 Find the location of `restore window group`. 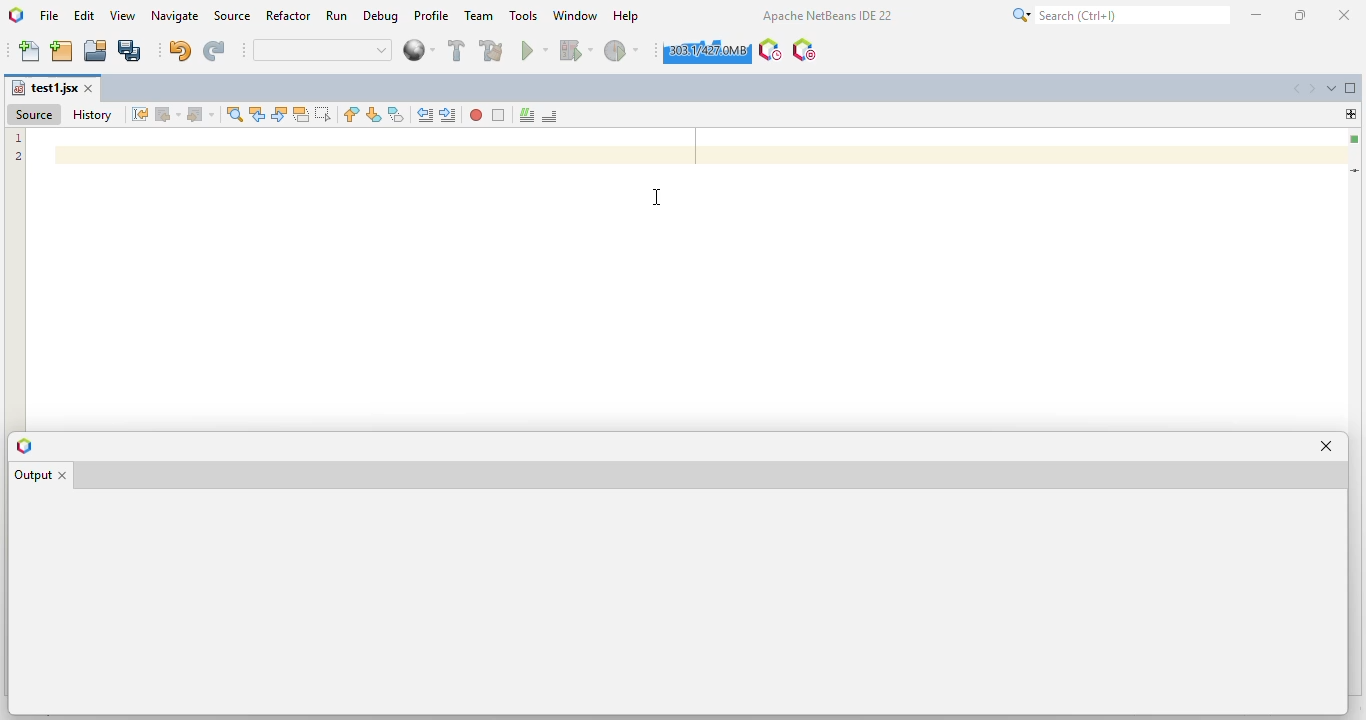

restore window group is located at coordinates (13, 708).